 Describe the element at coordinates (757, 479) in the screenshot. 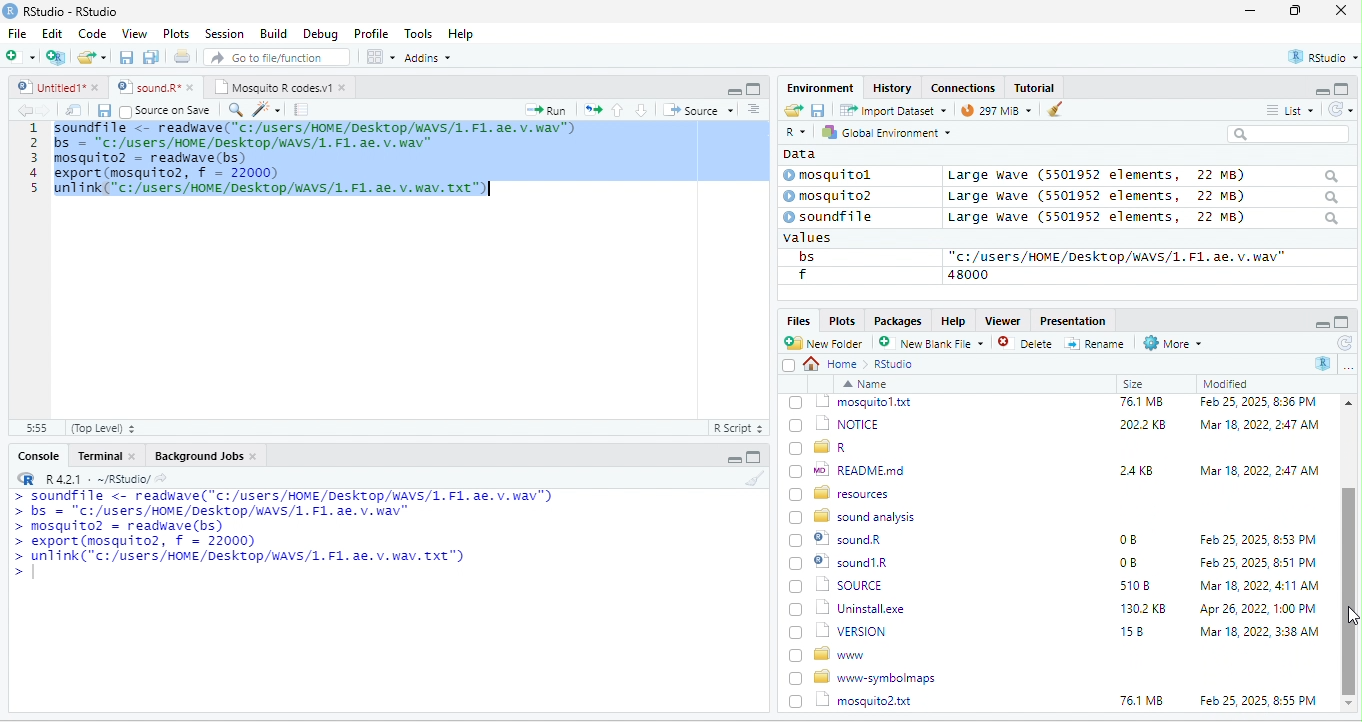

I see `brush` at that location.